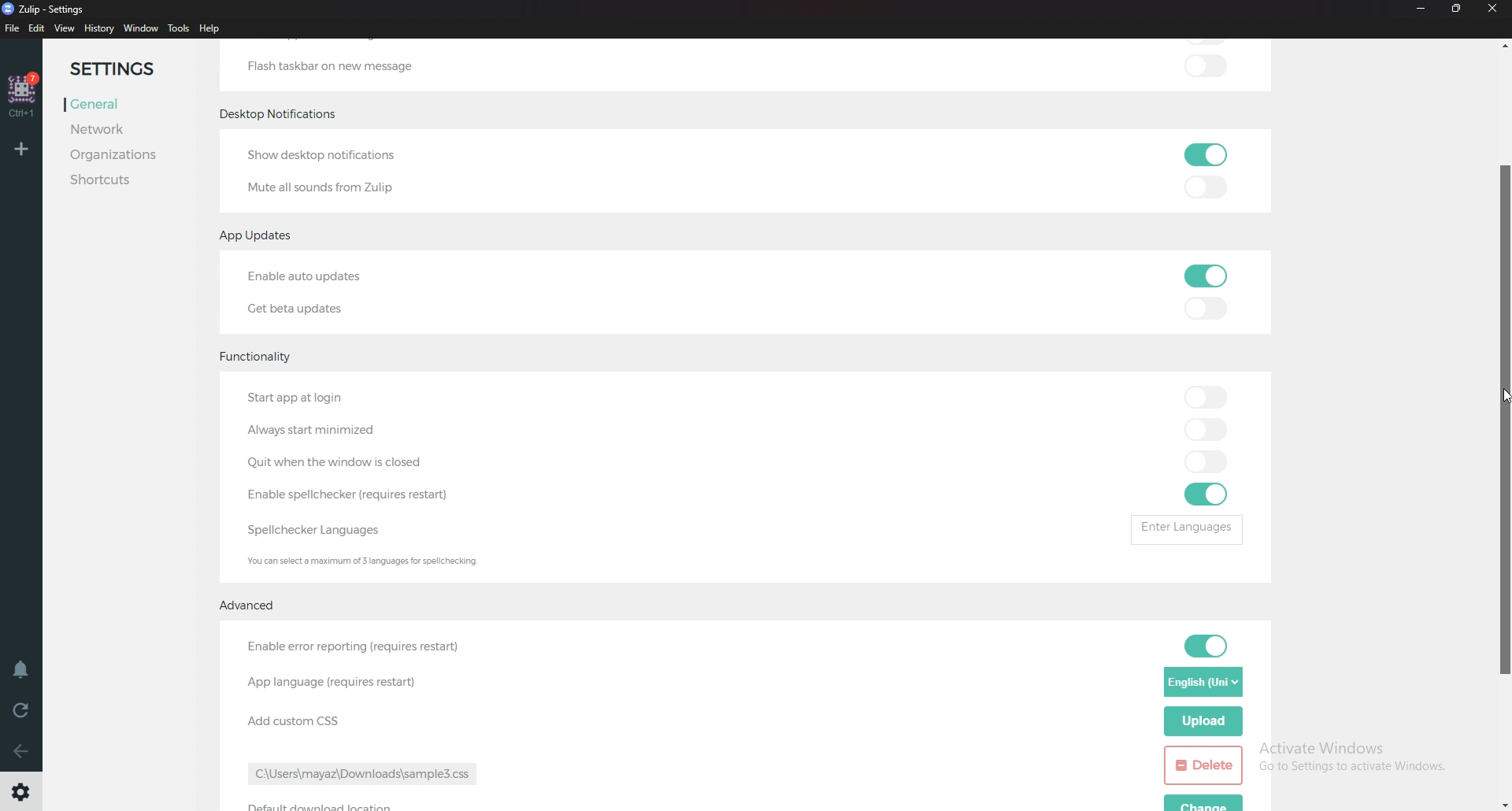  What do you see at coordinates (1184, 528) in the screenshot?
I see `enter languages` at bounding box center [1184, 528].